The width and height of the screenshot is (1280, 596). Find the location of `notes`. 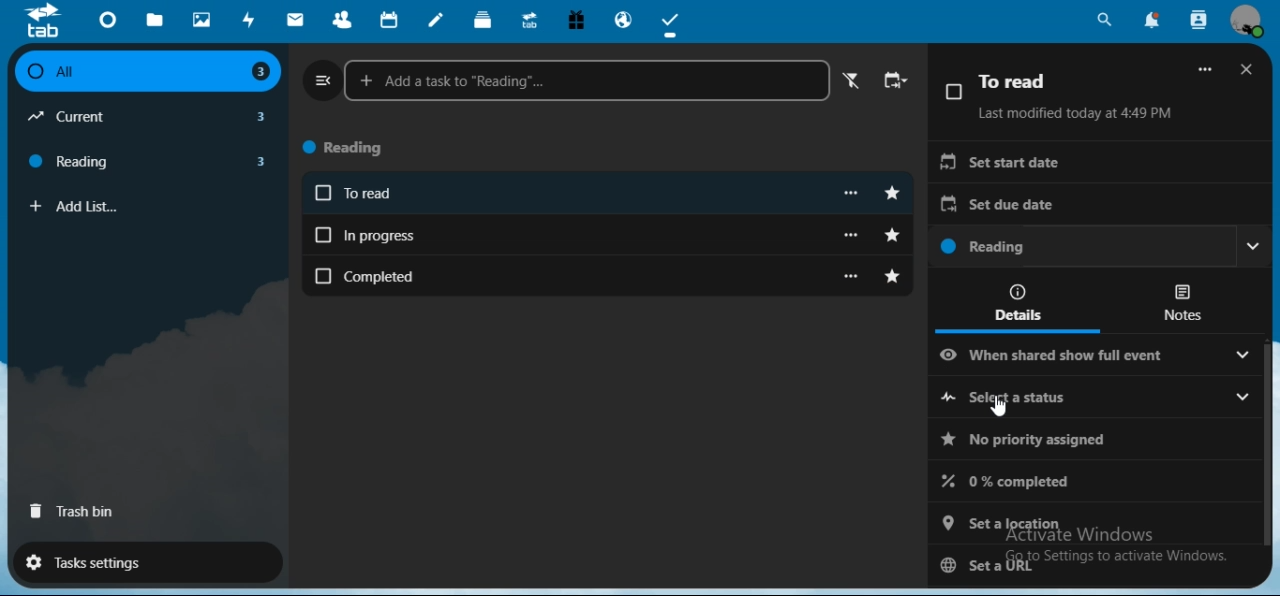

notes is located at coordinates (1180, 302).